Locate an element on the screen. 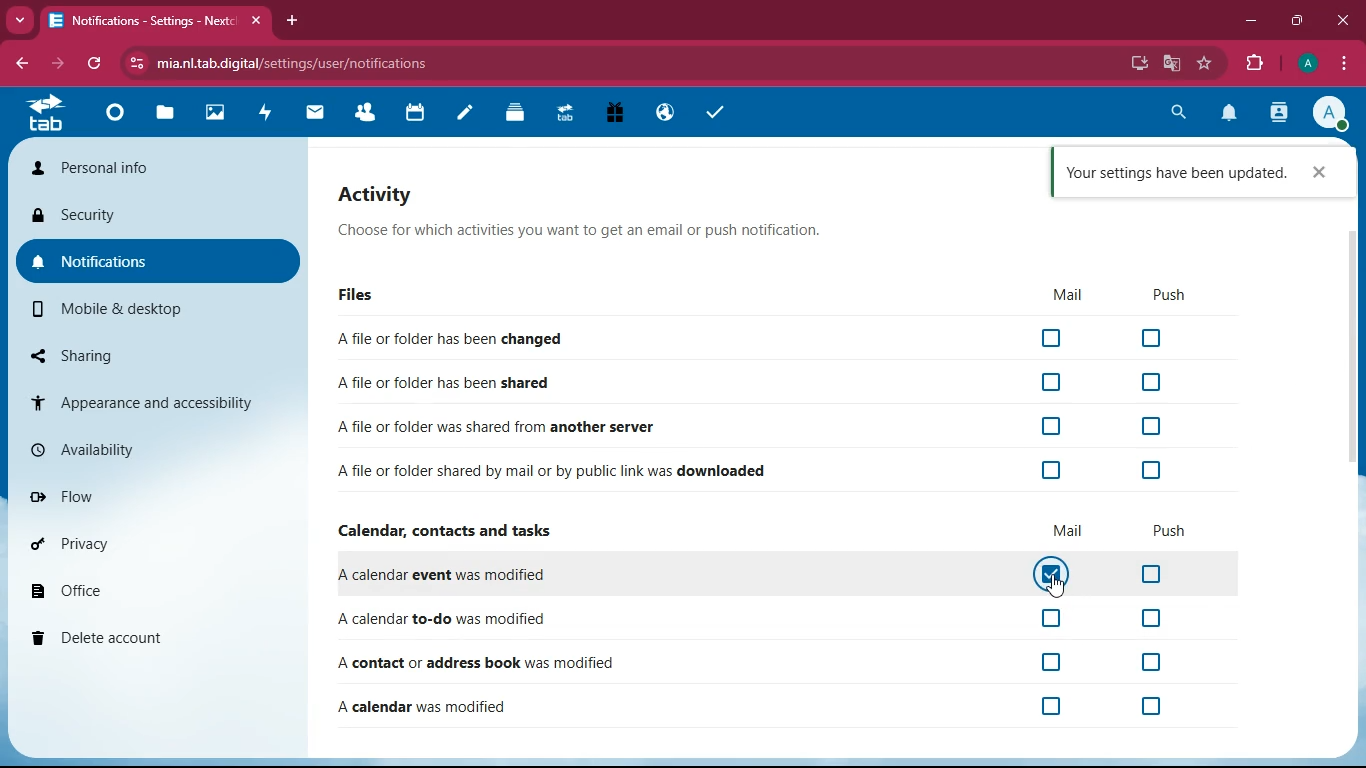 The height and width of the screenshot is (768, 1366). Photos is located at coordinates (216, 114).